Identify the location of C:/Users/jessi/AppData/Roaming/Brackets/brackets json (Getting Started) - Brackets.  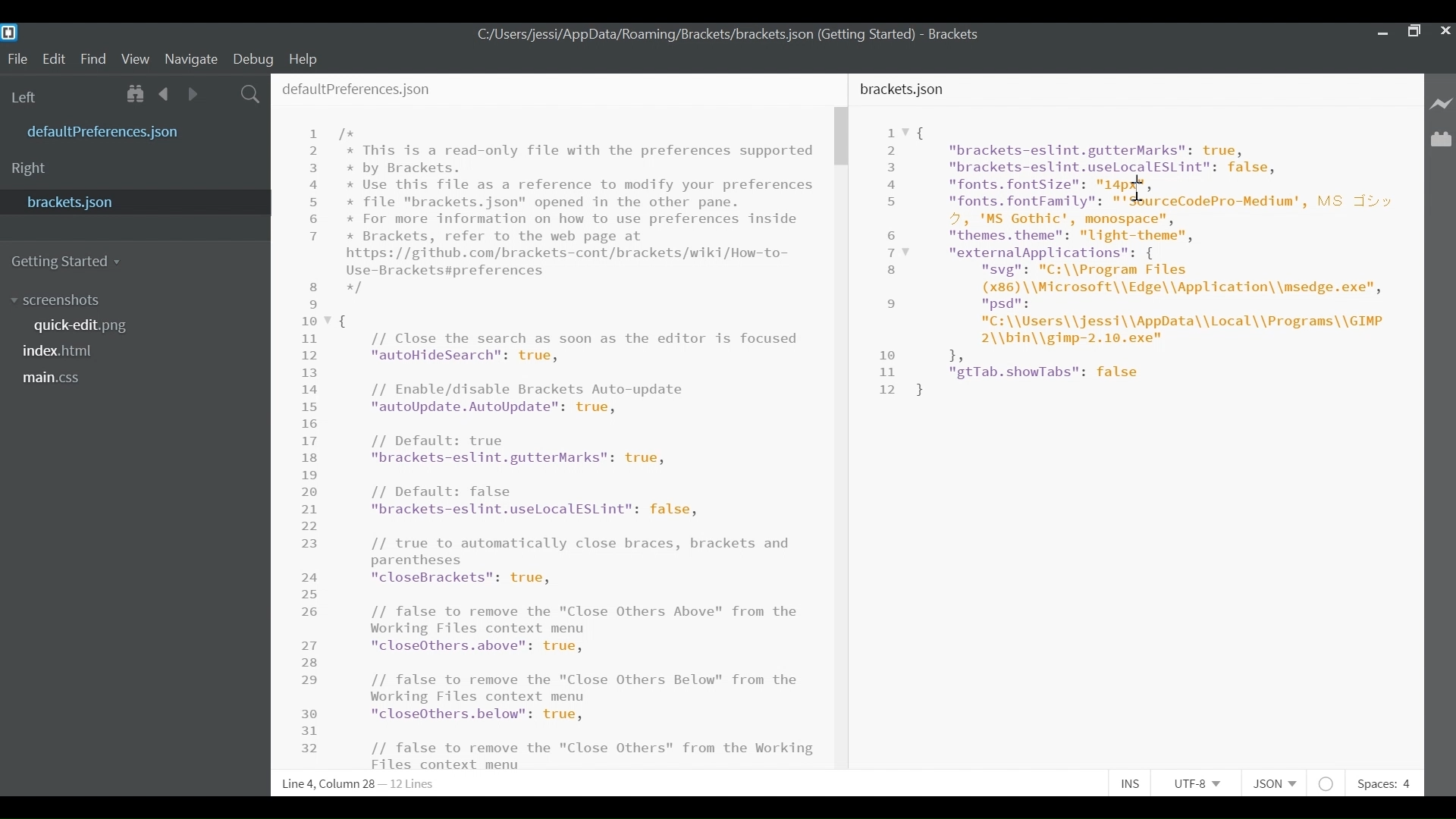
(729, 34).